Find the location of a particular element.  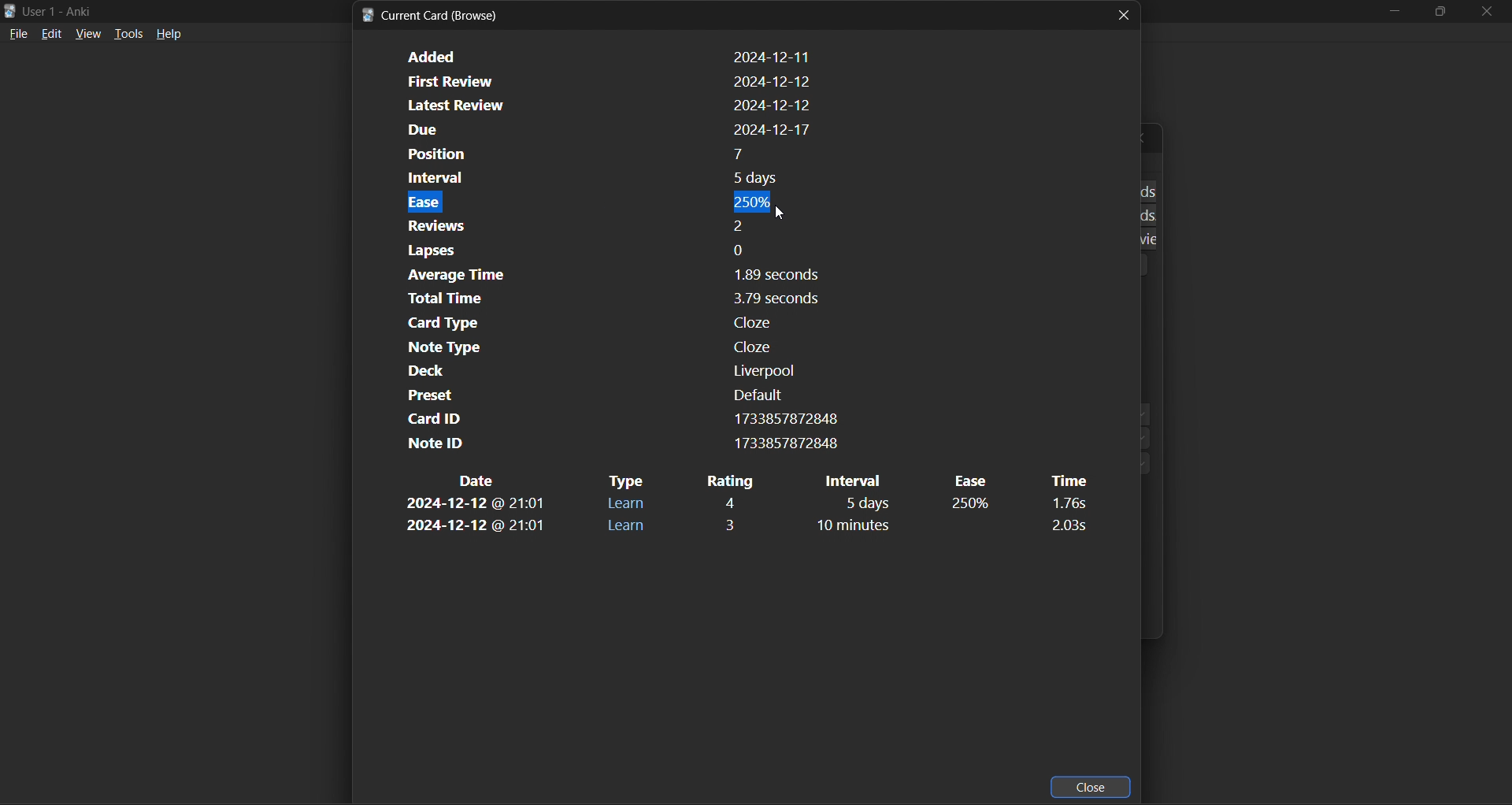

card reviews is located at coordinates (596, 224).